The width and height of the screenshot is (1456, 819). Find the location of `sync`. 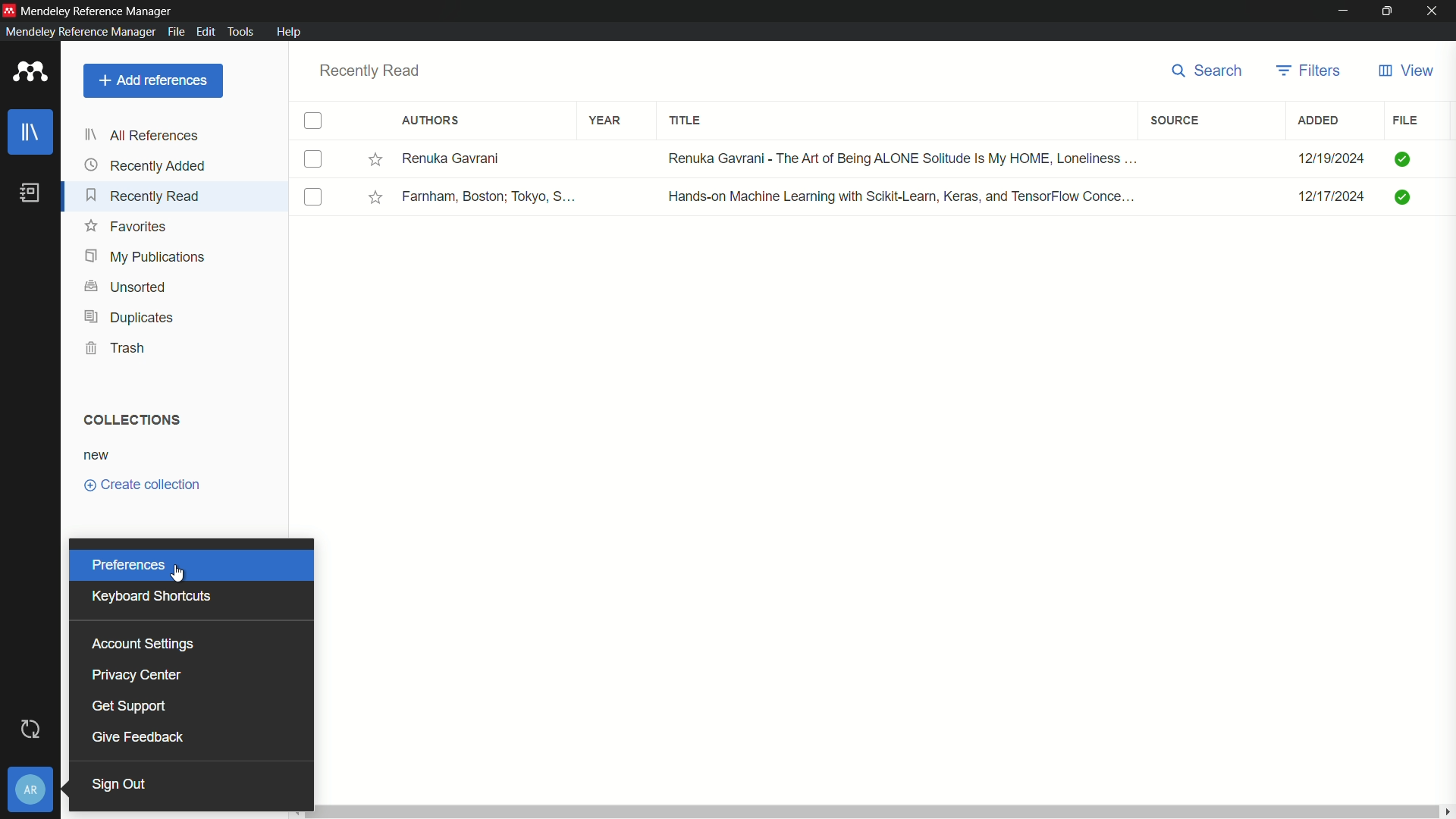

sync is located at coordinates (33, 730).